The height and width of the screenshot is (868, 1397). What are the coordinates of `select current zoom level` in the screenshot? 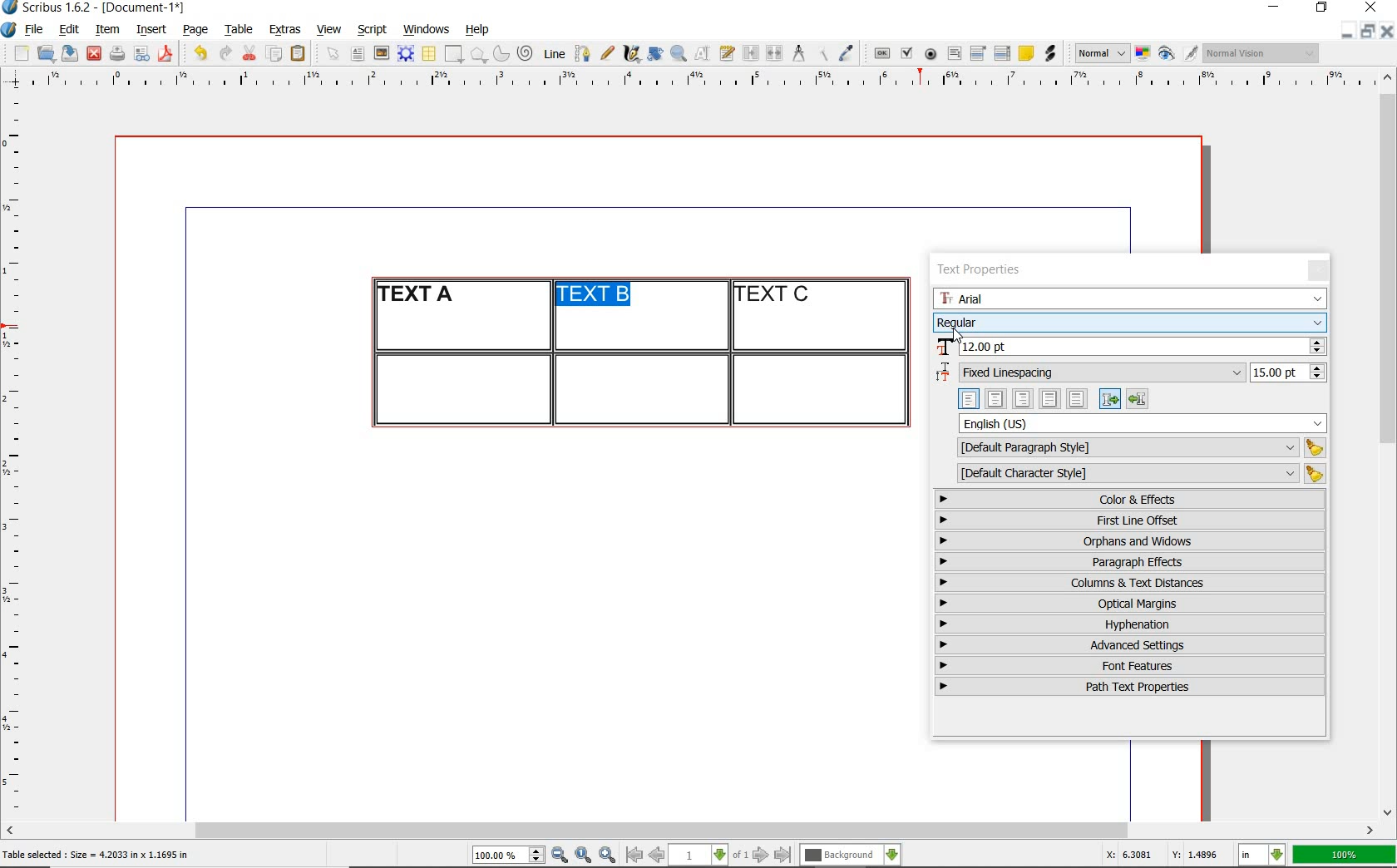 It's located at (509, 855).